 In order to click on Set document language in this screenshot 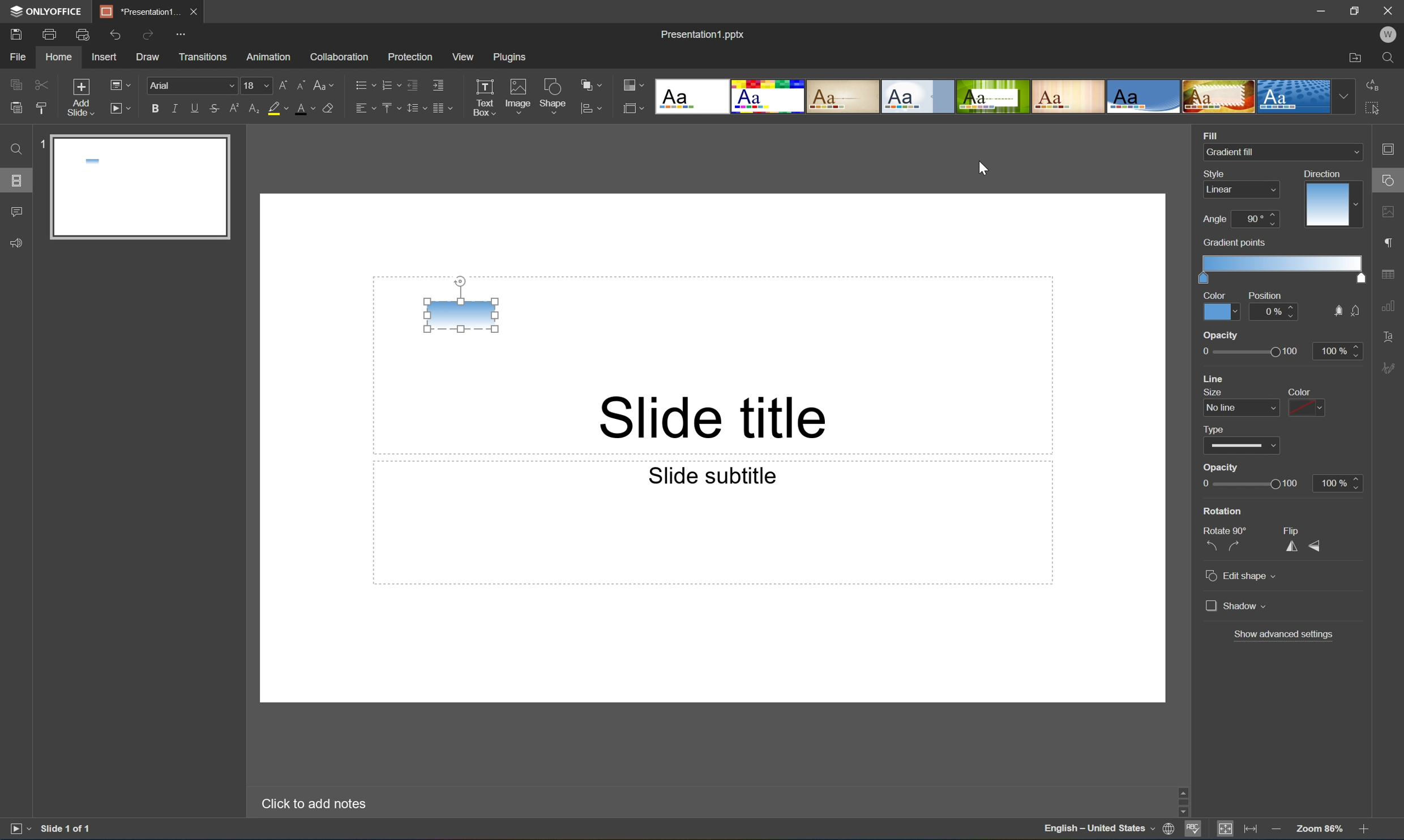, I will do `click(1171, 830)`.